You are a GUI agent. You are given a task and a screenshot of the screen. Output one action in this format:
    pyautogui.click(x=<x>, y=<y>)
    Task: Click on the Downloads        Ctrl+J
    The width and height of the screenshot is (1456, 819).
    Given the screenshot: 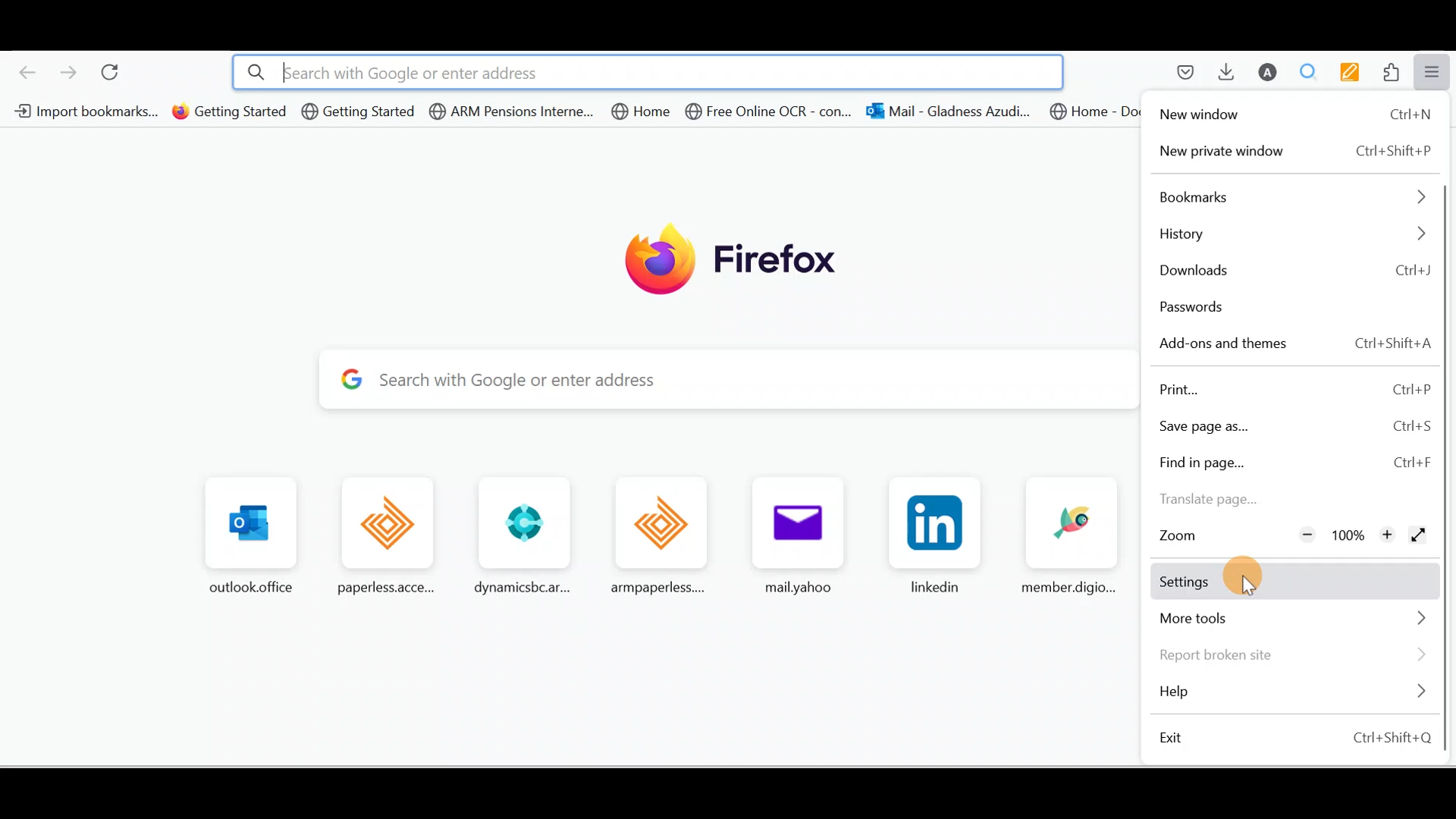 What is the action you would take?
    pyautogui.click(x=1291, y=271)
    